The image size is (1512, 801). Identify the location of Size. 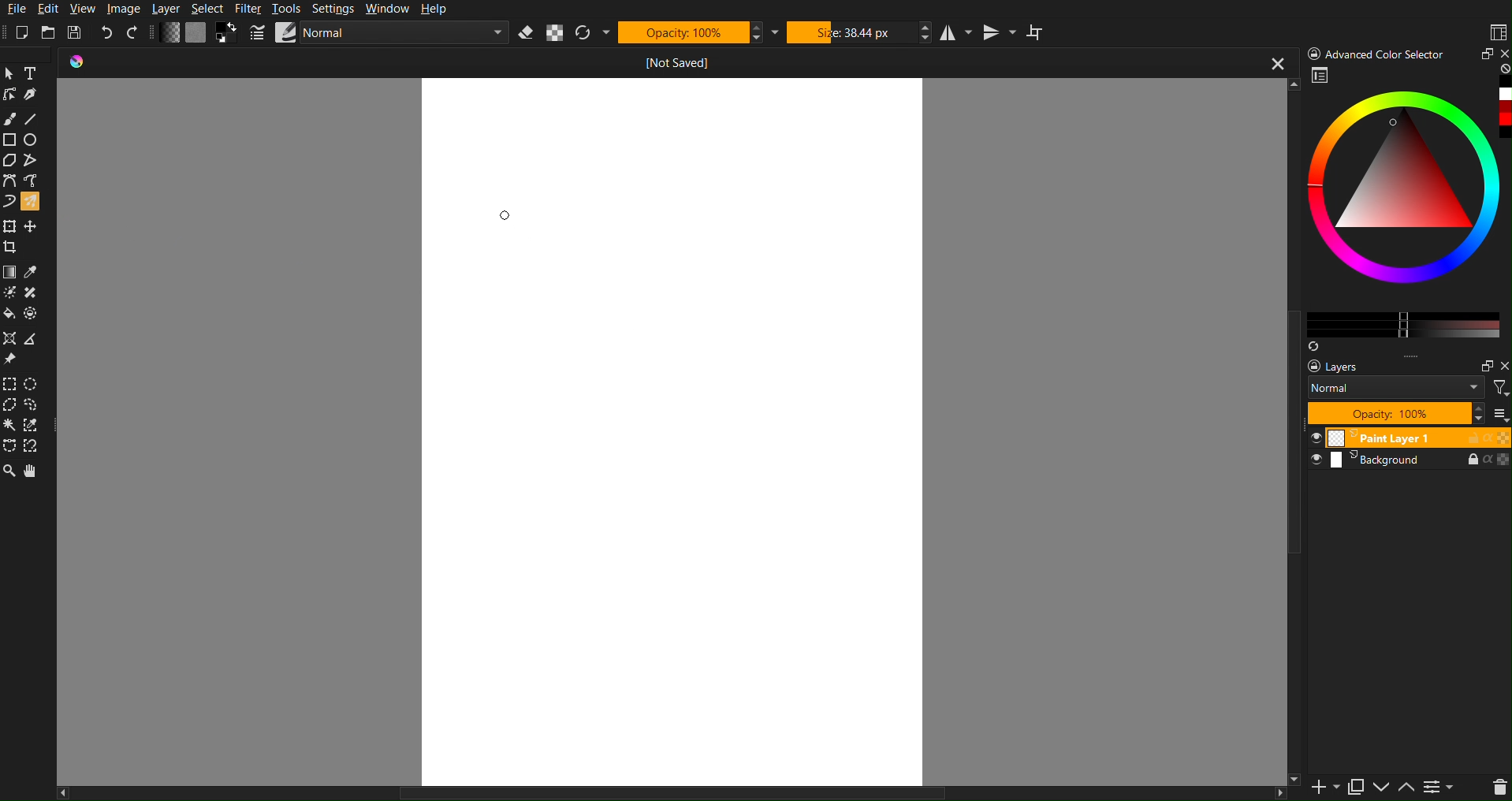
(855, 32).